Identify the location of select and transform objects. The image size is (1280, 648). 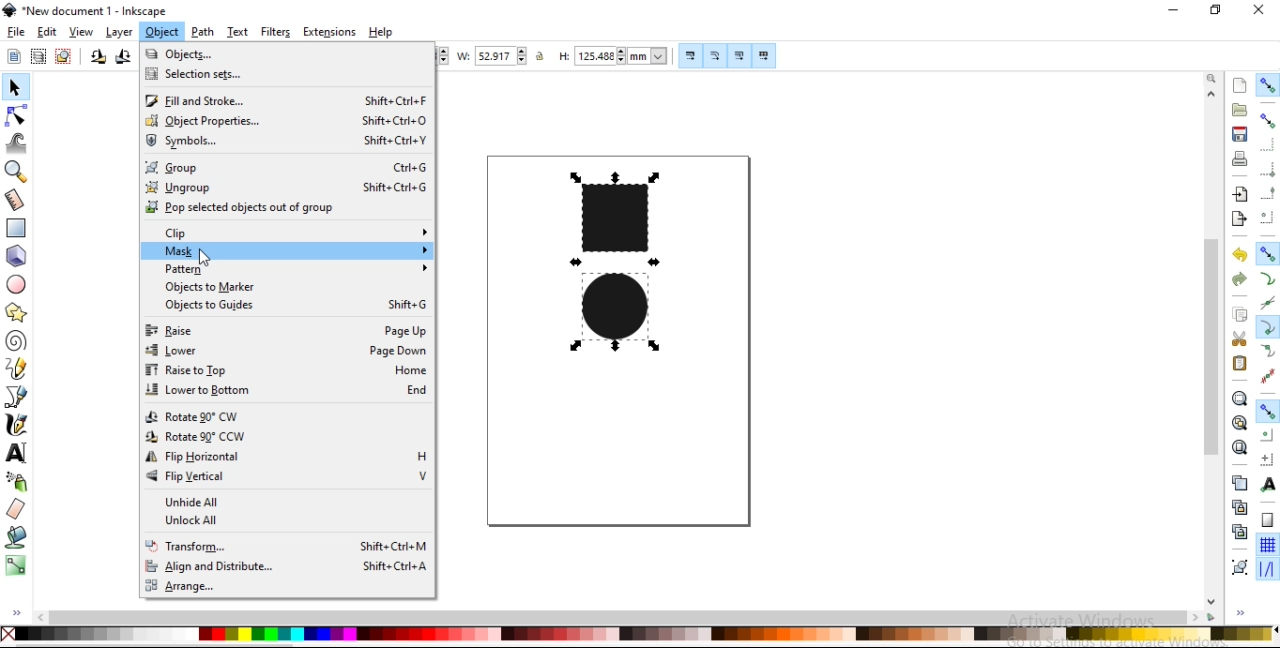
(16, 88).